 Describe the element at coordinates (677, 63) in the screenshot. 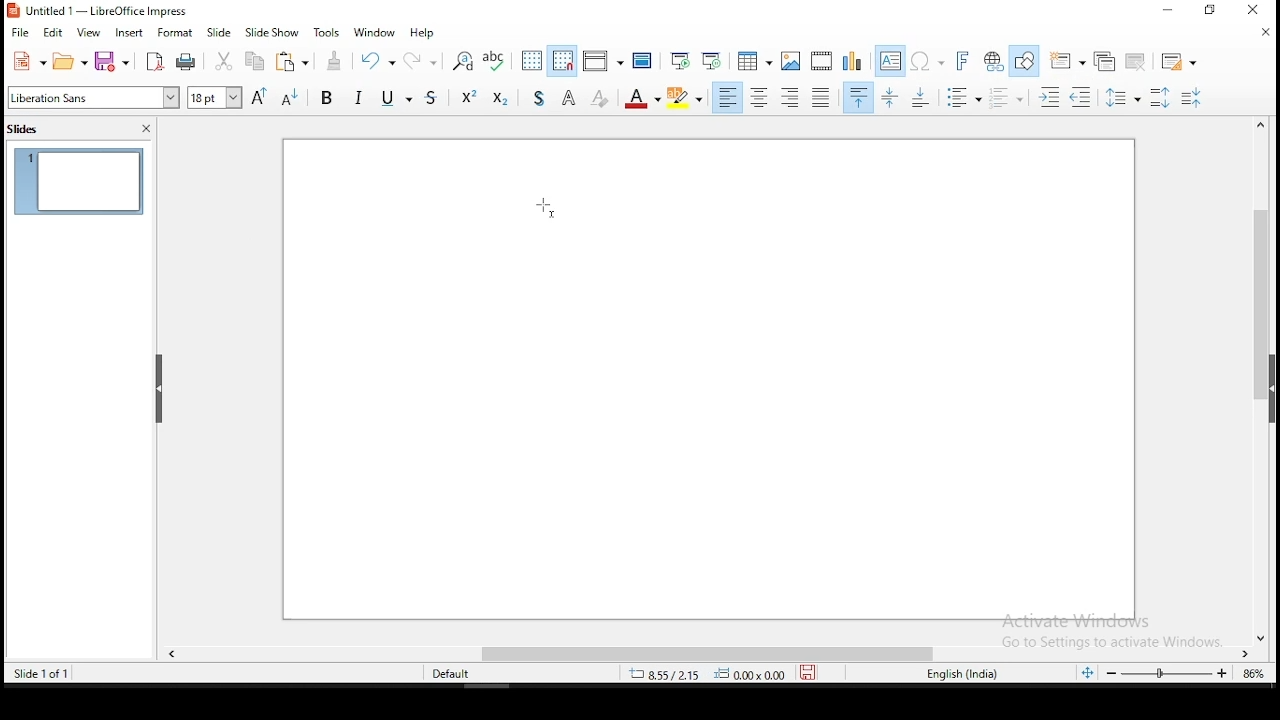

I see `start from first slide` at that location.